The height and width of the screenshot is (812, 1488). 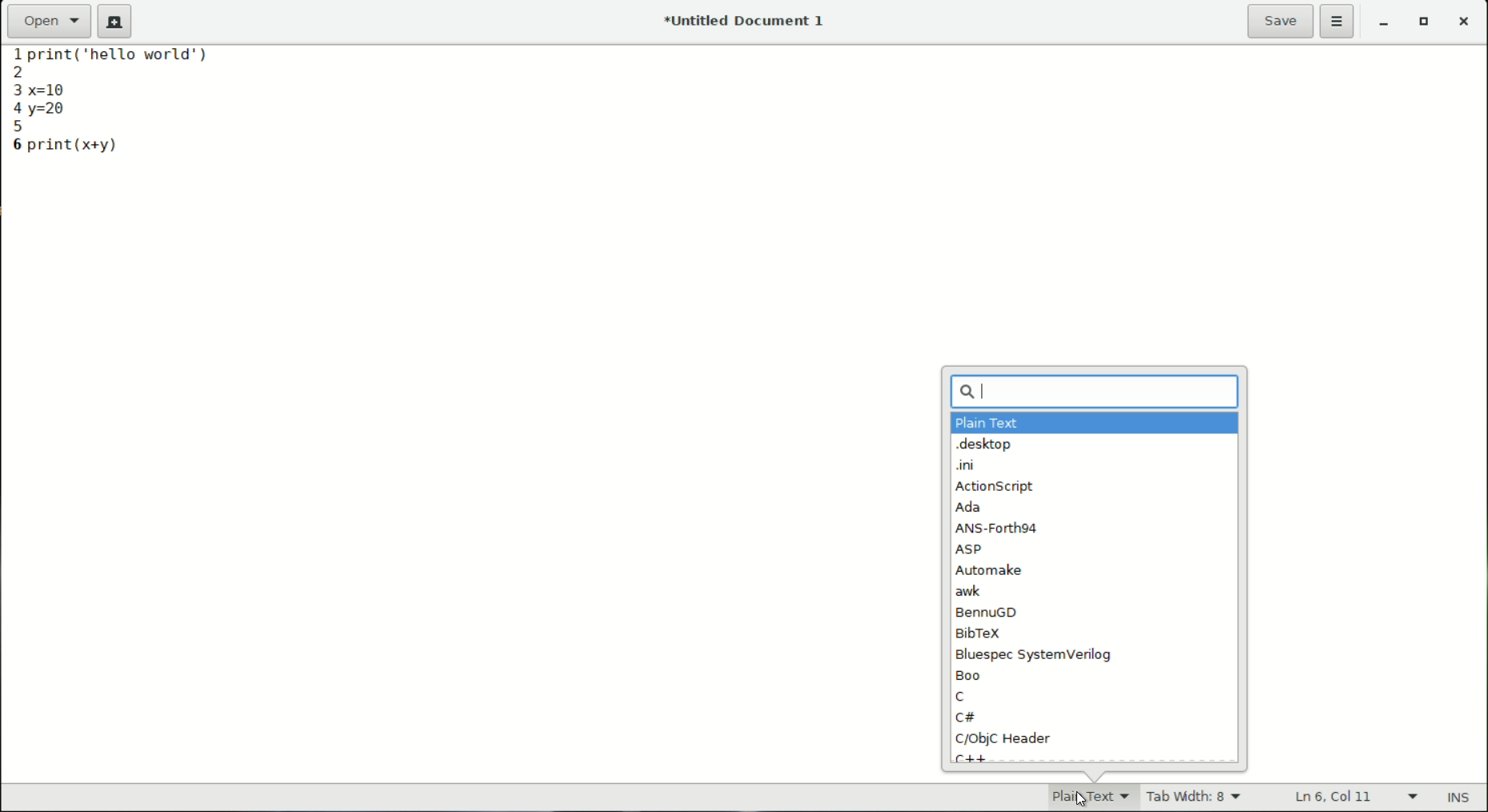 What do you see at coordinates (987, 424) in the screenshot?
I see `plain text` at bounding box center [987, 424].